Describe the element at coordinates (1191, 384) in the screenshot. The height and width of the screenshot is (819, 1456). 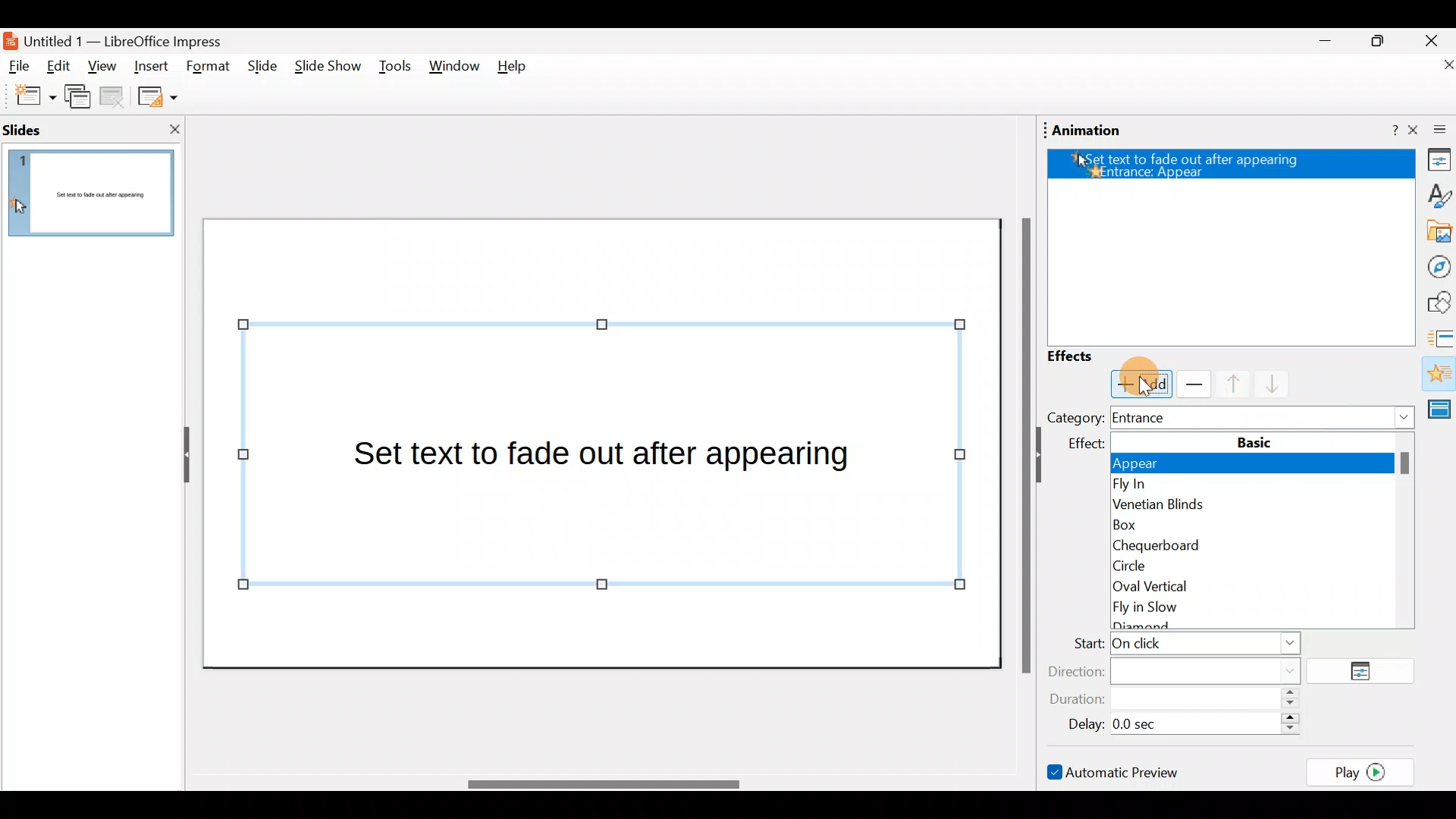
I see `Remove effect` at that location.